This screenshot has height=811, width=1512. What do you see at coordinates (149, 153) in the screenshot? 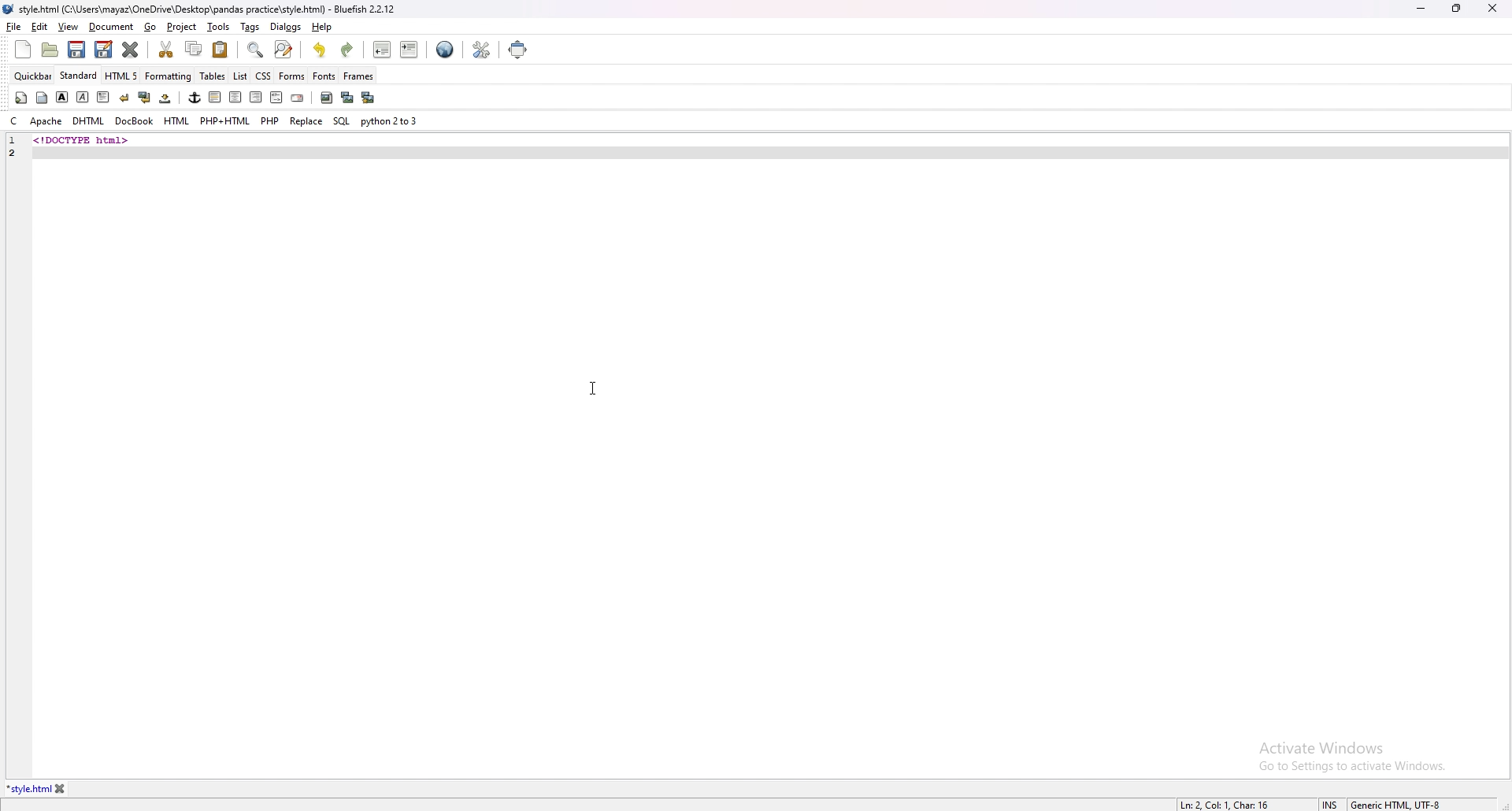
I see `line input` at bounding box center [149, 153].